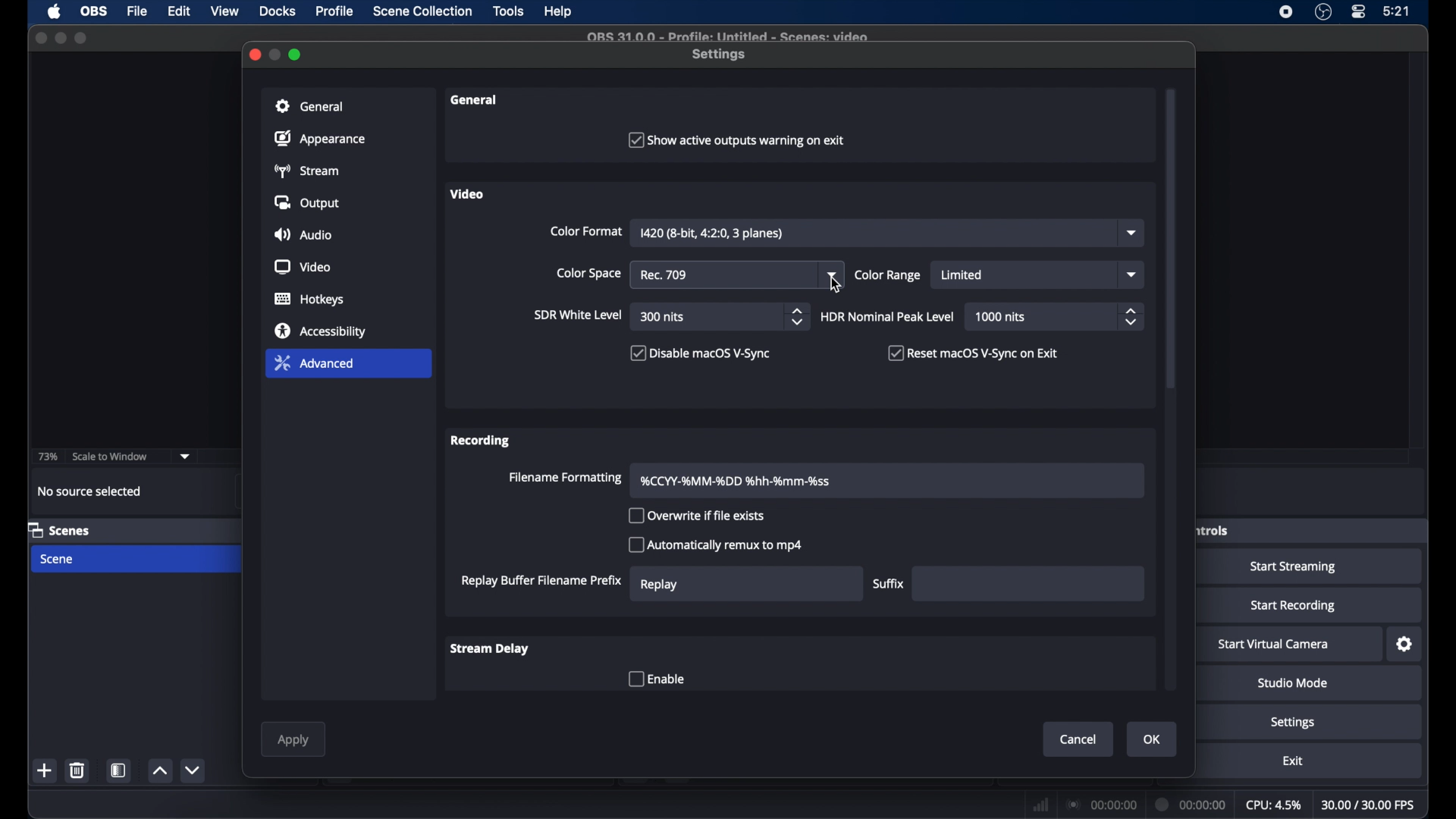 The width and height of the screenshot is (1456, 819). I want to click on exit, so click(1292, 761).